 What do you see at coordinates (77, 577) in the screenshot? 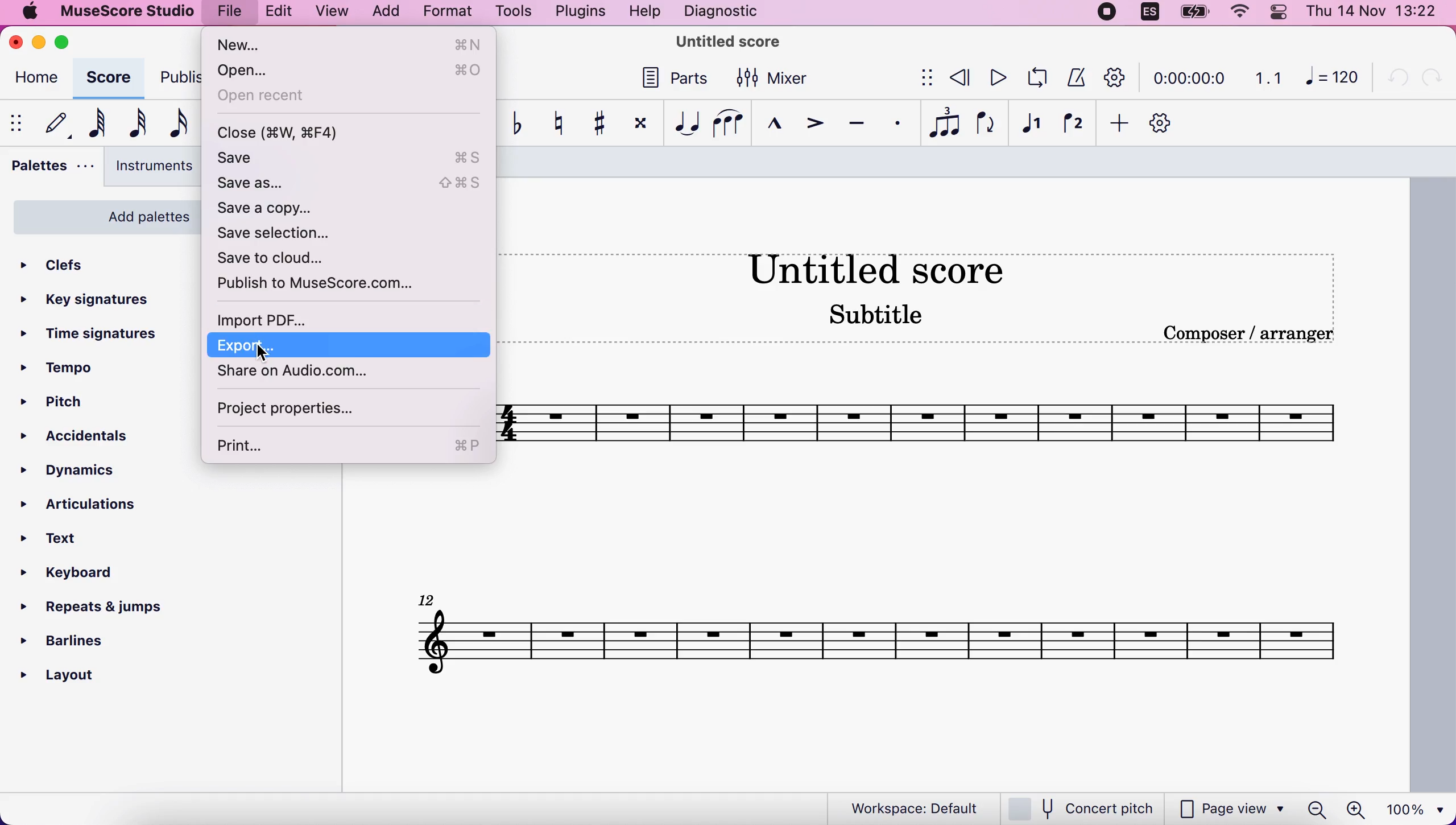
I see `keyboard` at bounding box center [77, 577].